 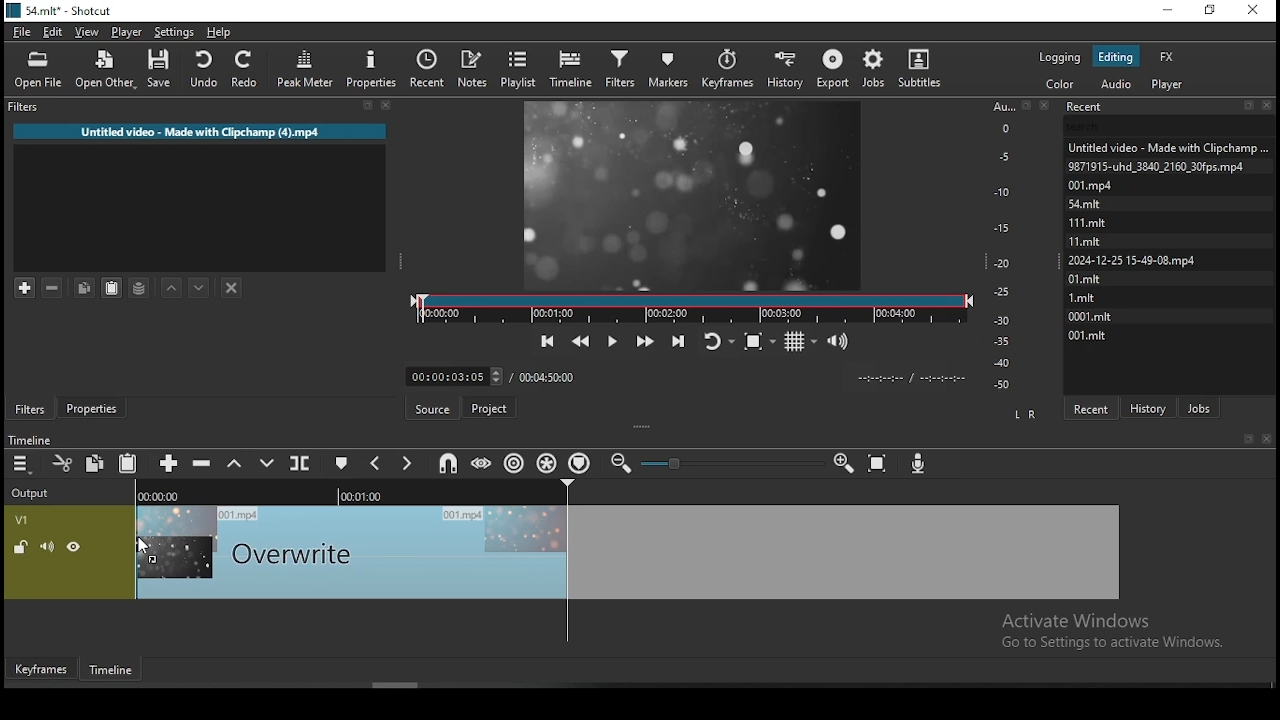 What do you see at coordinates (20, 32) in the screenshot?
I see `file` at bounding box center [20, 32].